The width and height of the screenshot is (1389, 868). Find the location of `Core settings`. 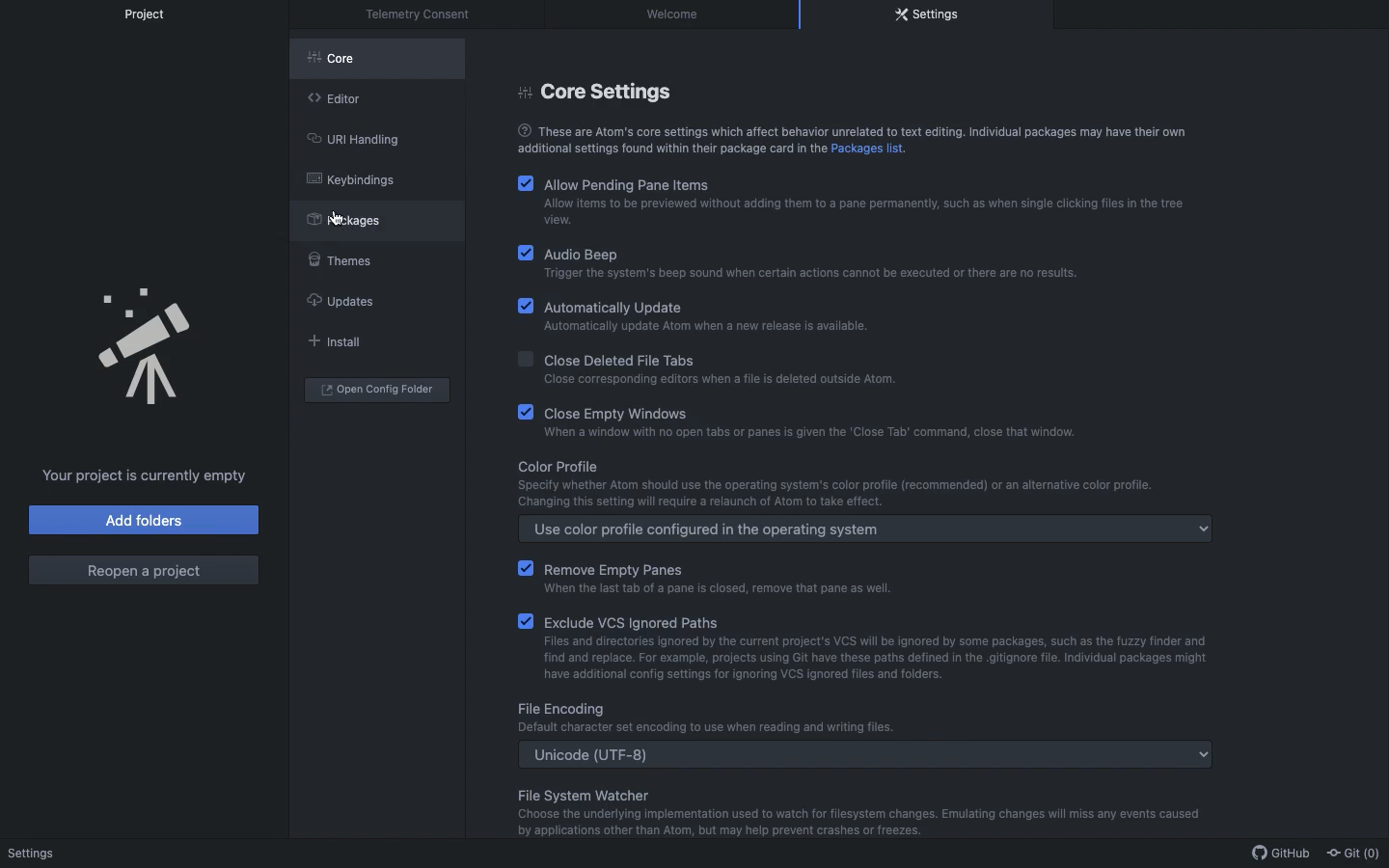

Core settings is located at coordinates (601, 90).